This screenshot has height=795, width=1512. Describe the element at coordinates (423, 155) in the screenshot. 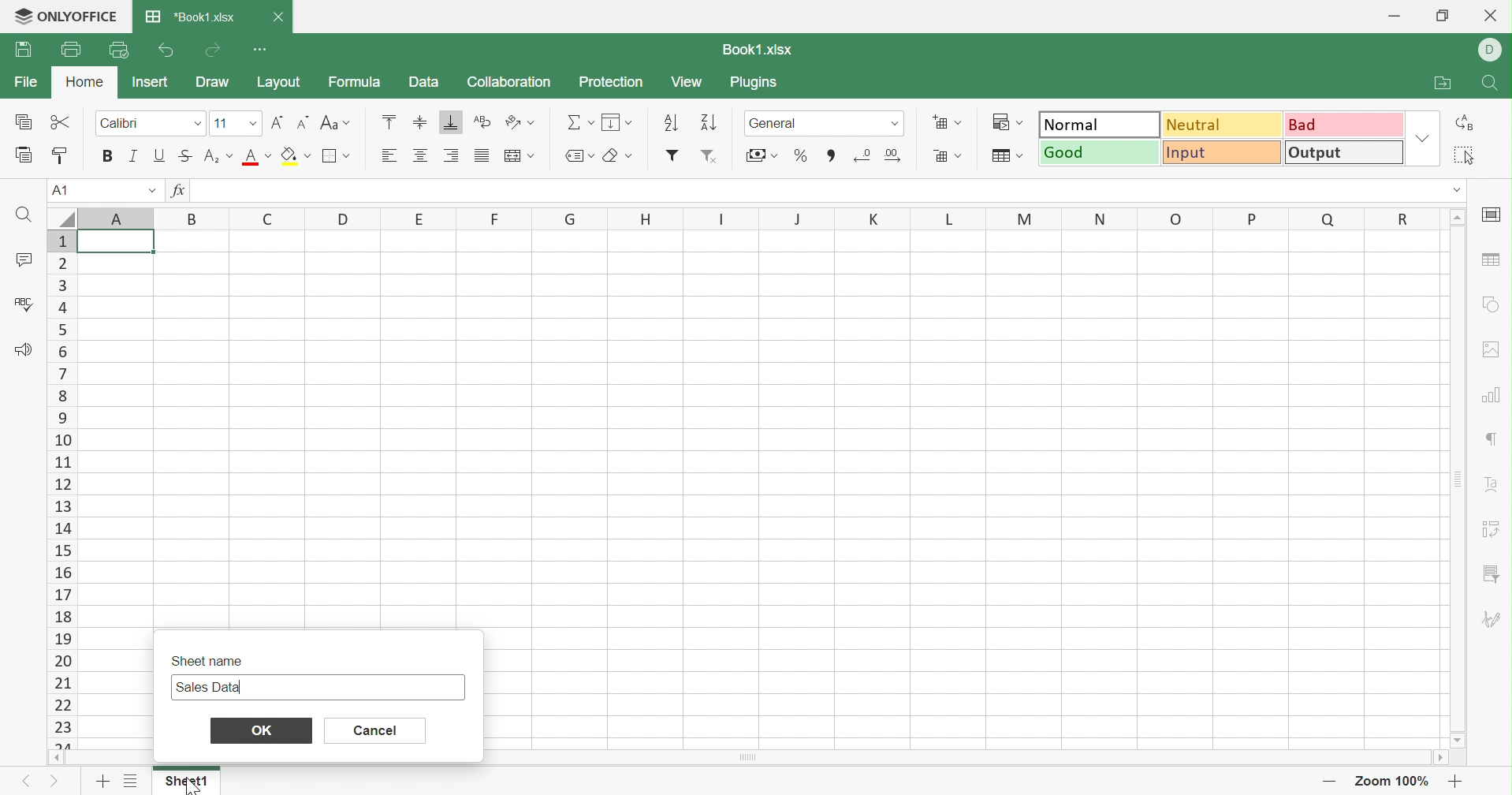

I see `Align Center` at that location.